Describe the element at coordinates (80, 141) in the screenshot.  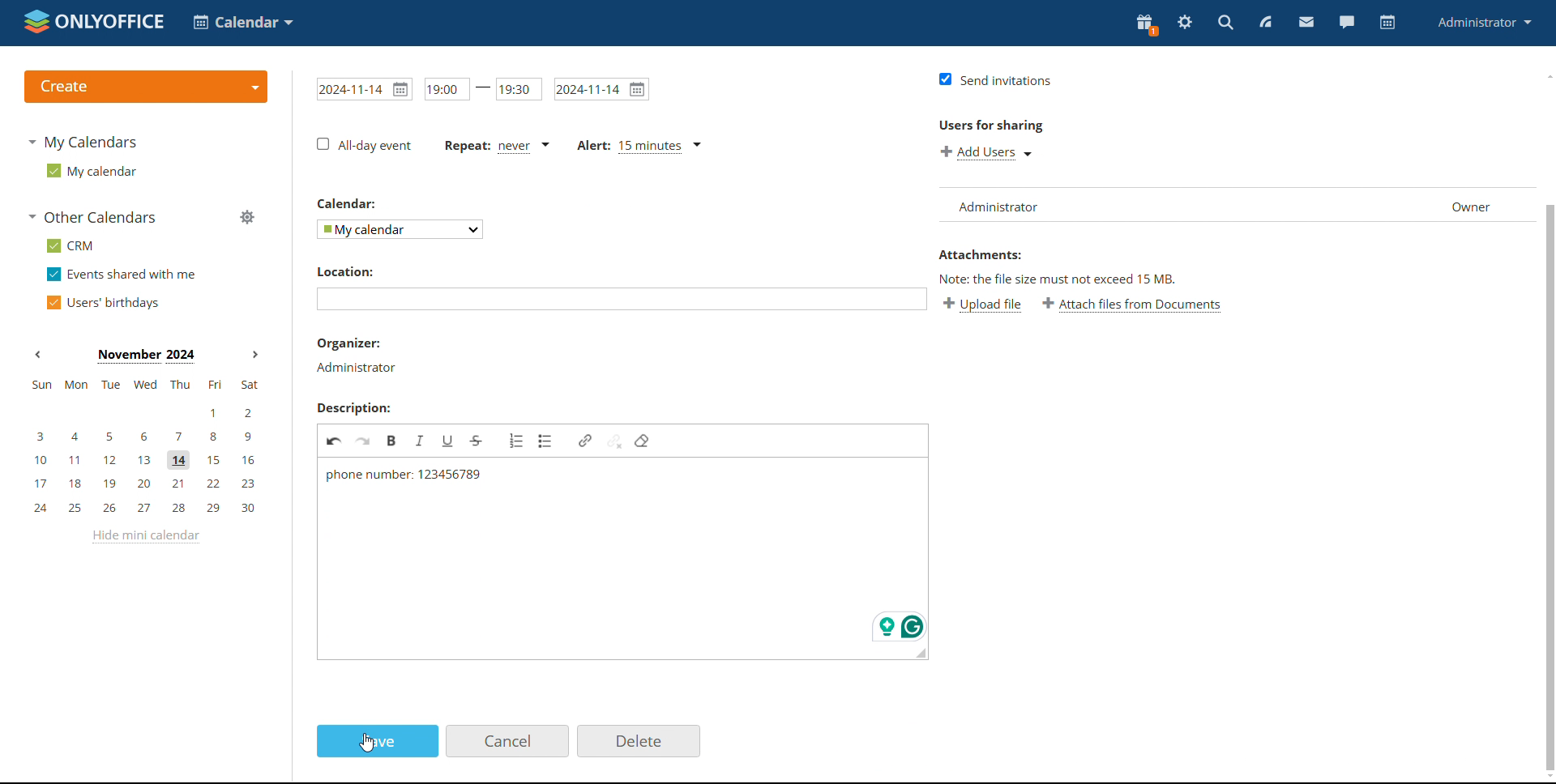
I see `my calendars` at that location.